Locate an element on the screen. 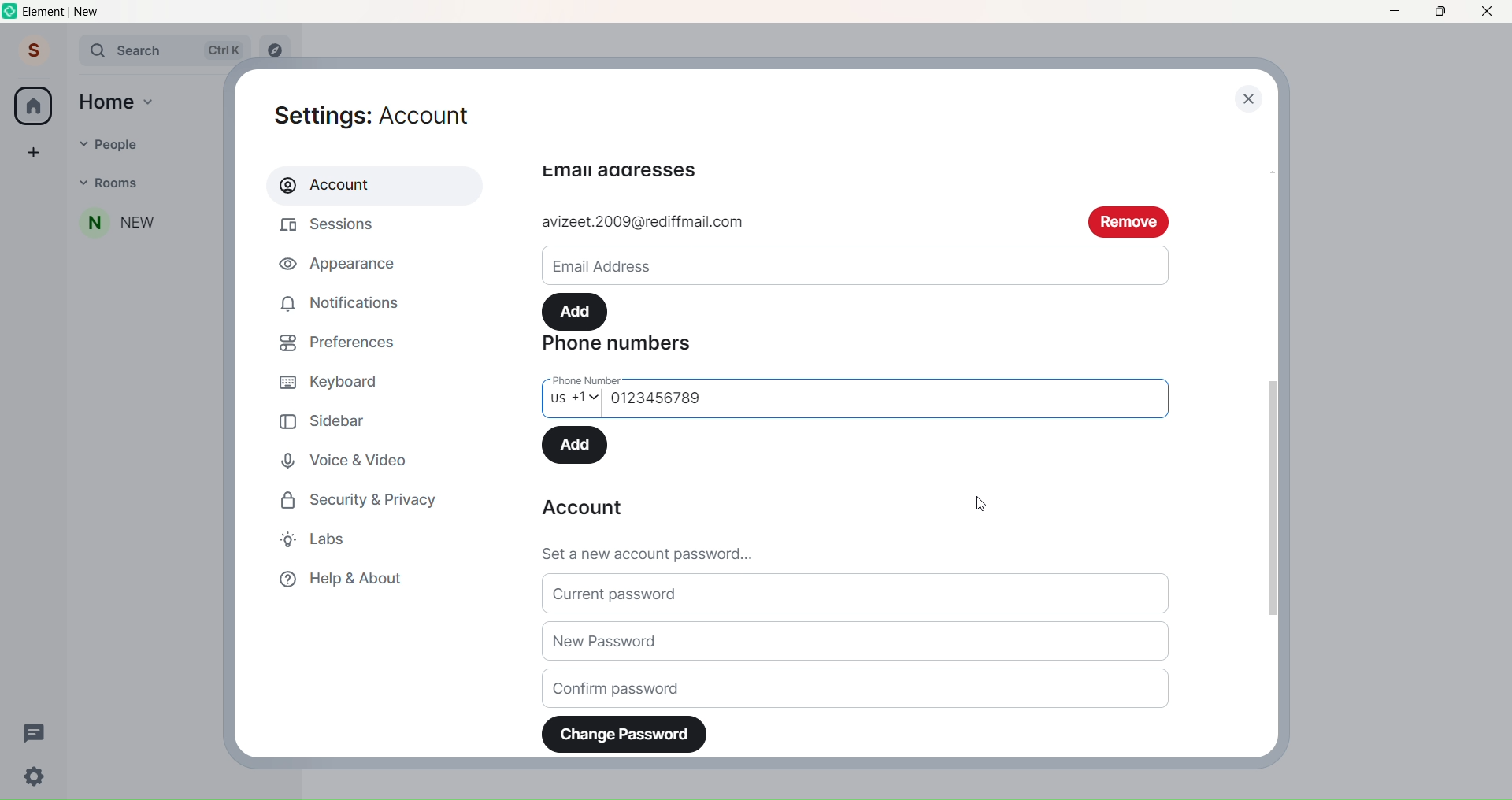  Current Password is located at coordinates (858, 594).